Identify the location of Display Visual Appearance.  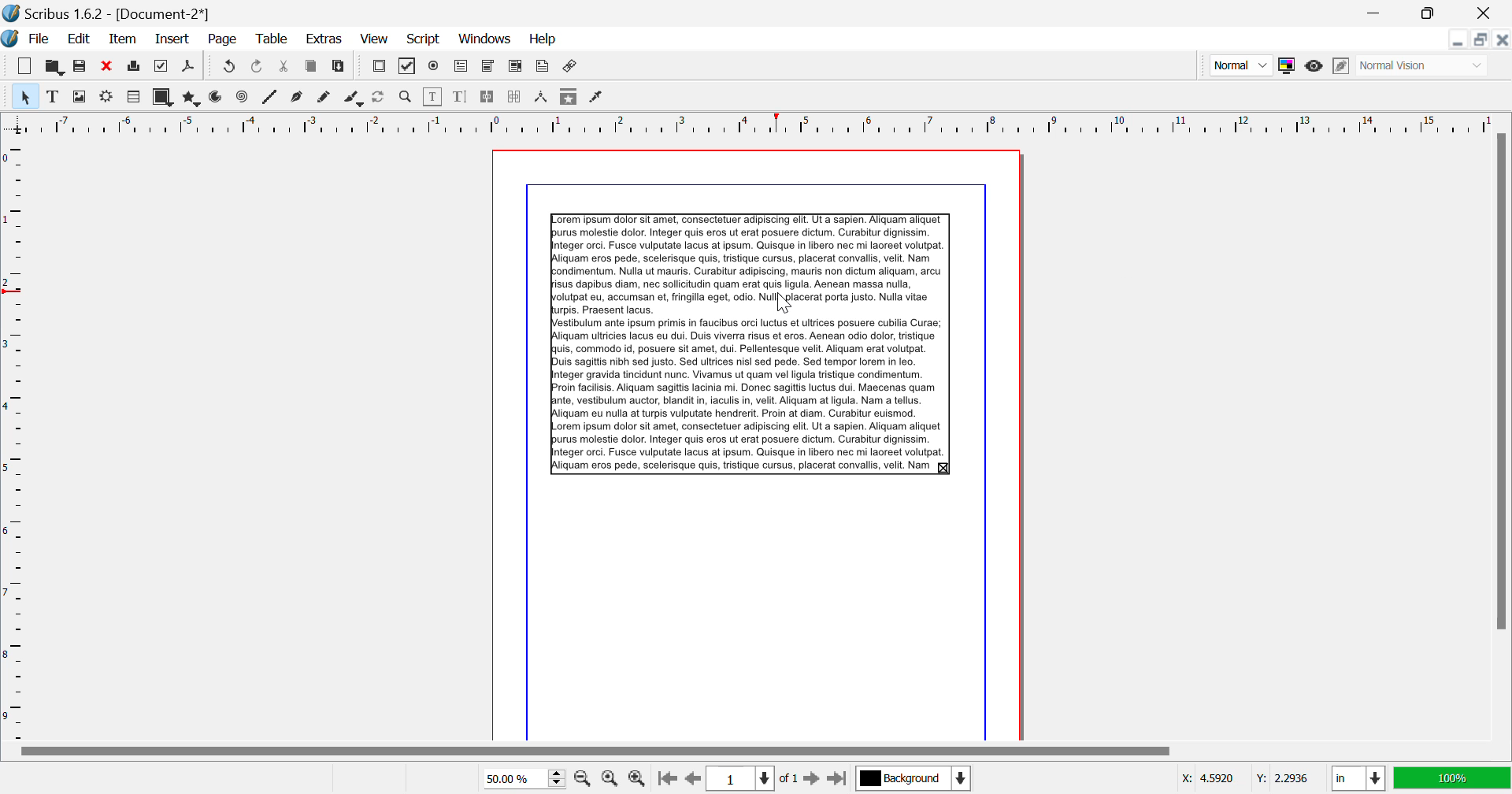
(1424, 65).